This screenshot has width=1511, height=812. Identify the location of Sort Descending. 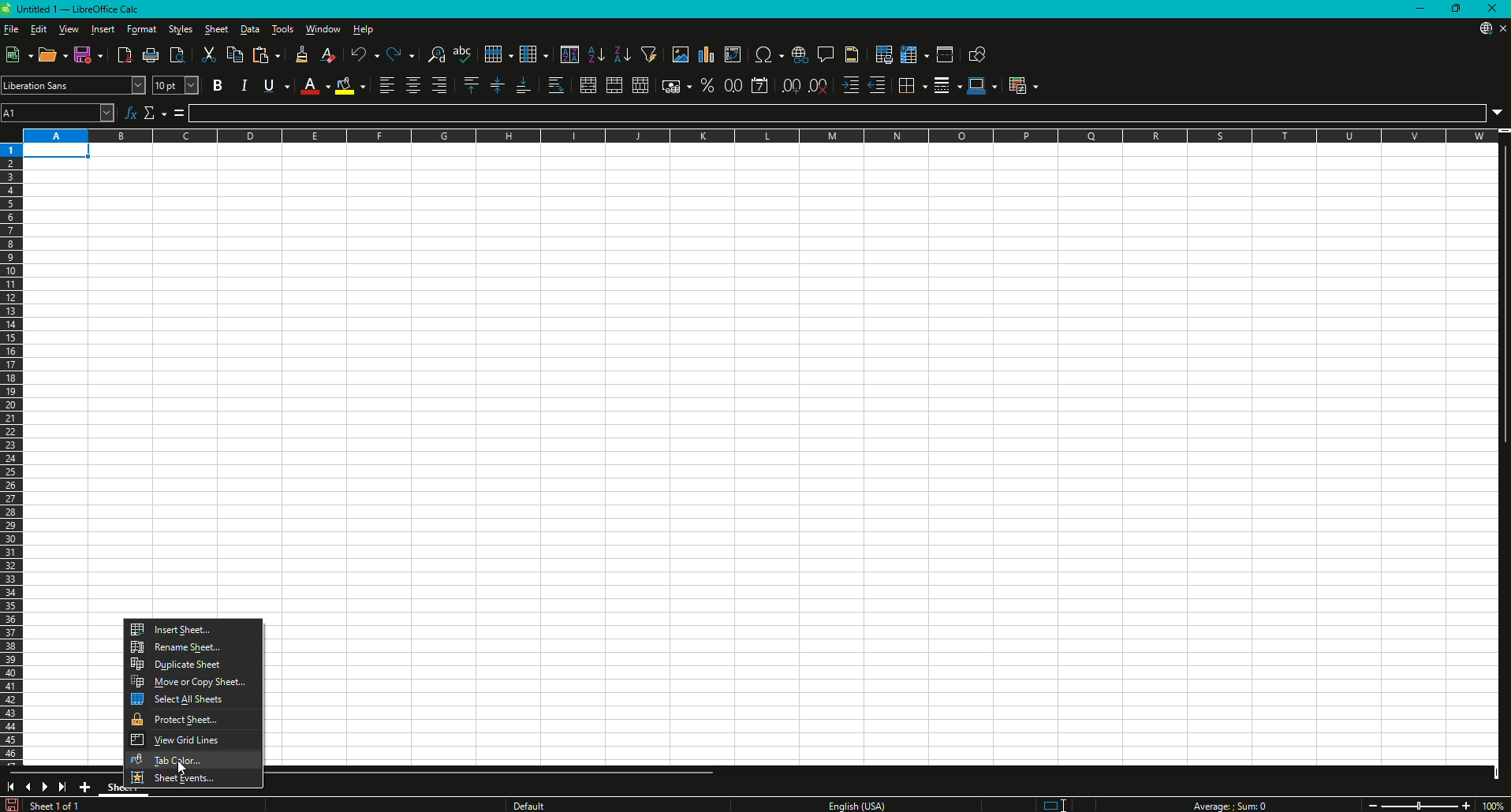
(624, 54).